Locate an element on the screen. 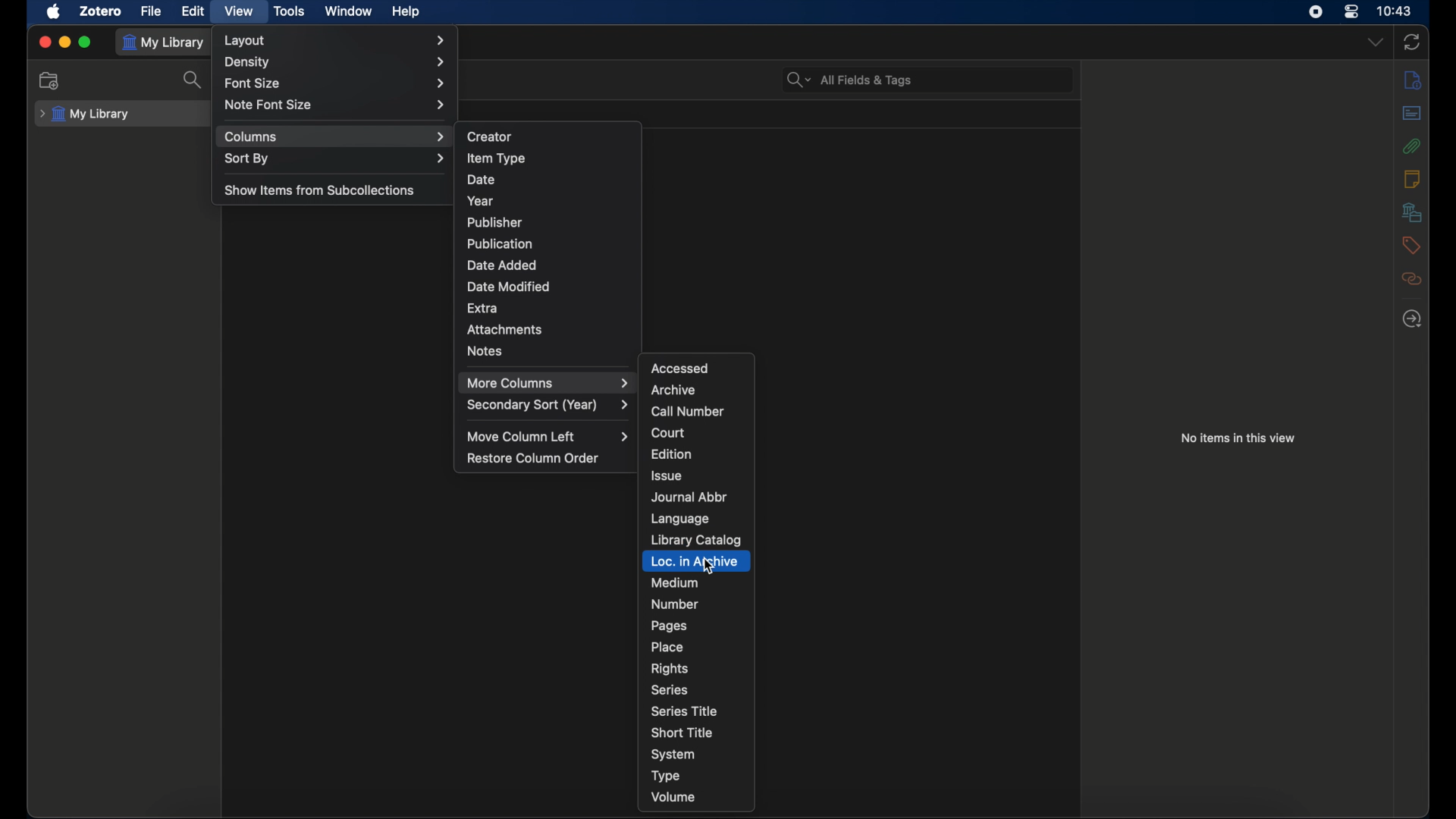  zotero is located at coordinates (102, 11).